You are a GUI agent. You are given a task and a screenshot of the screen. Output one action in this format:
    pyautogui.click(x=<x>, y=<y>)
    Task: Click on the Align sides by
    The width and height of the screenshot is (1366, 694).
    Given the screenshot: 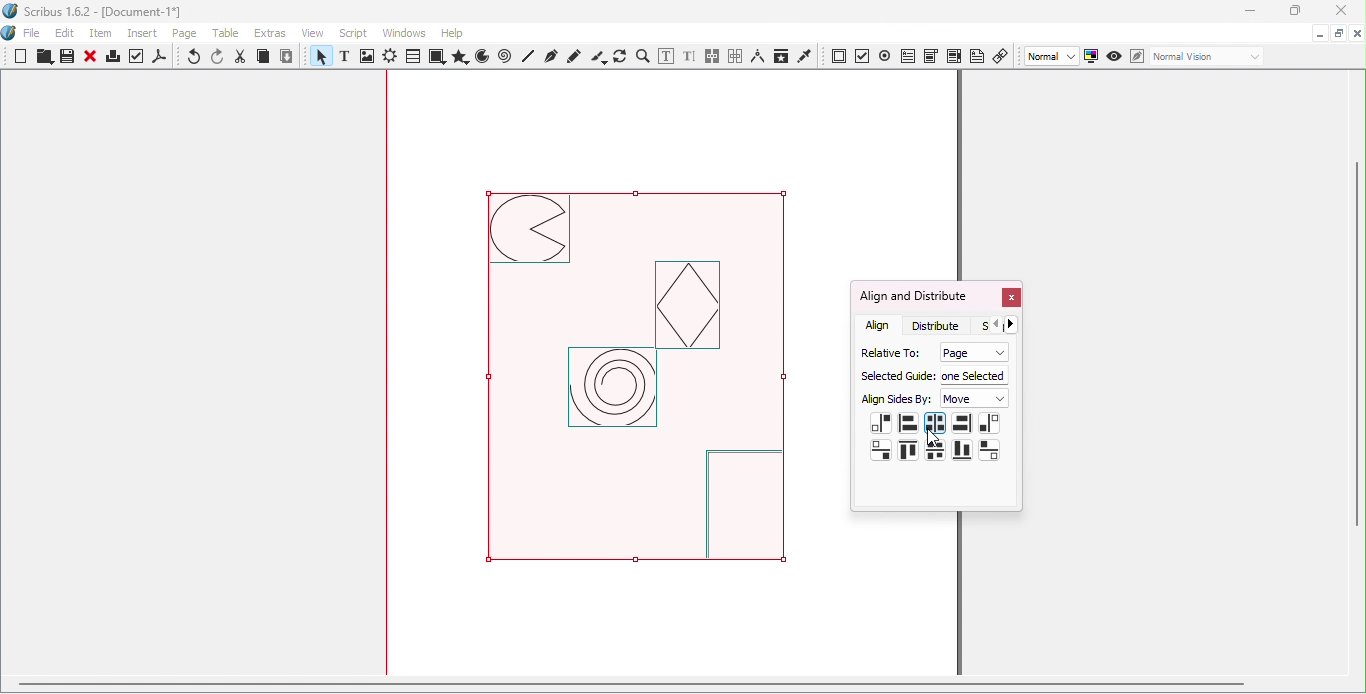 What is the action you would take?
    pyautogui.click(x=897, y=400)
    